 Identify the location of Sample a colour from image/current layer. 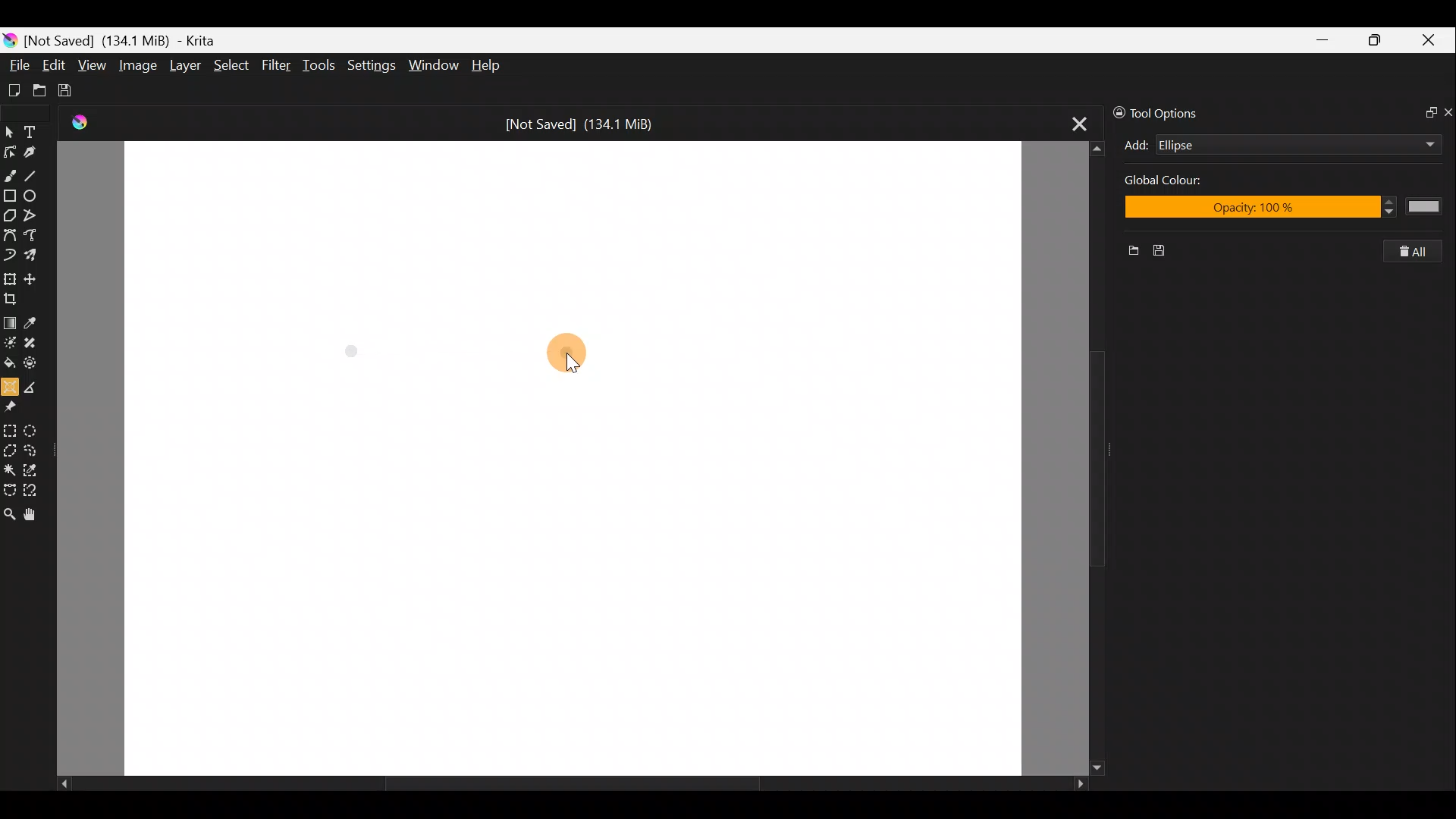
(33, 320).